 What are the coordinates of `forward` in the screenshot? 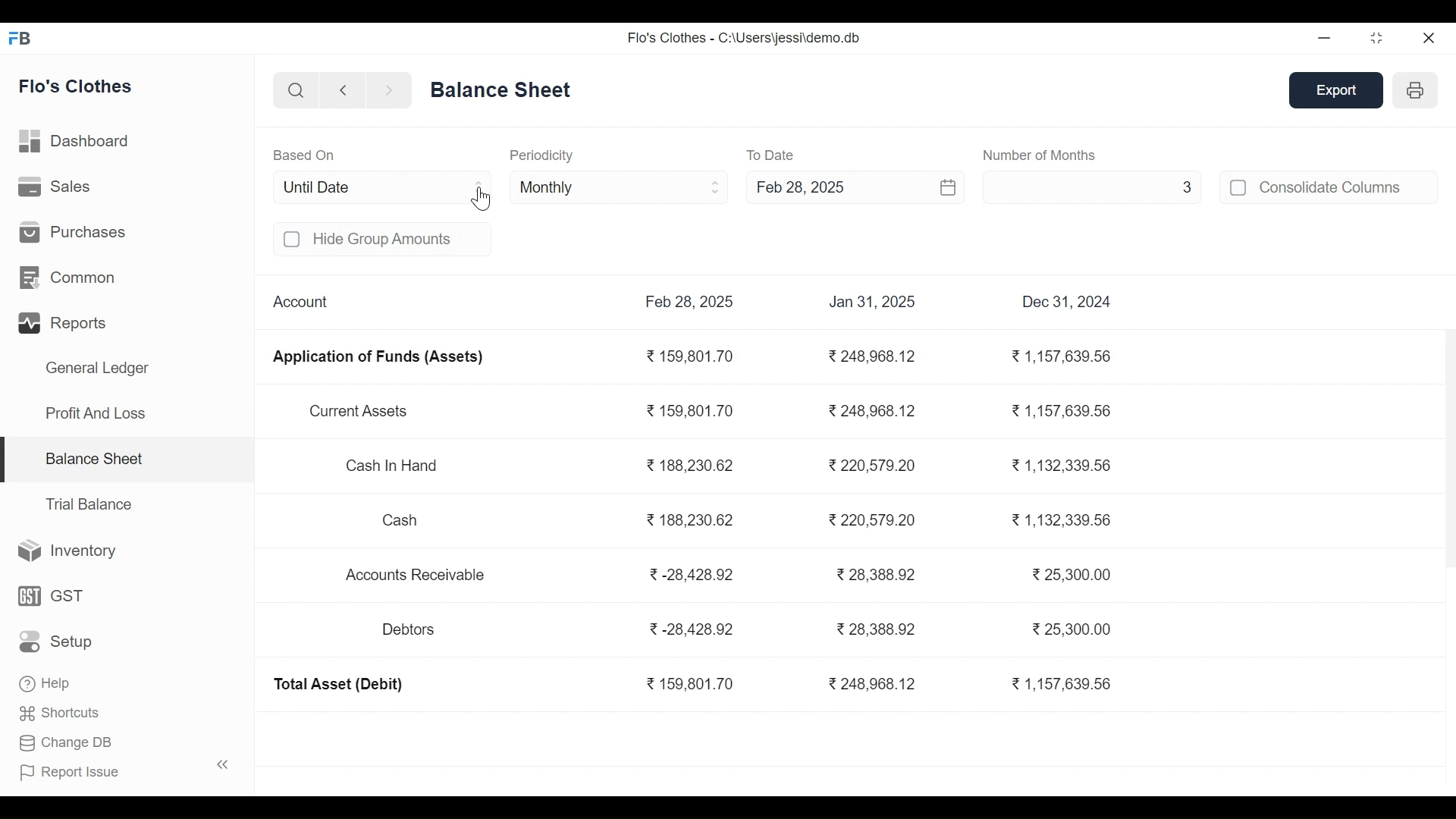 It's located at (389, 91).